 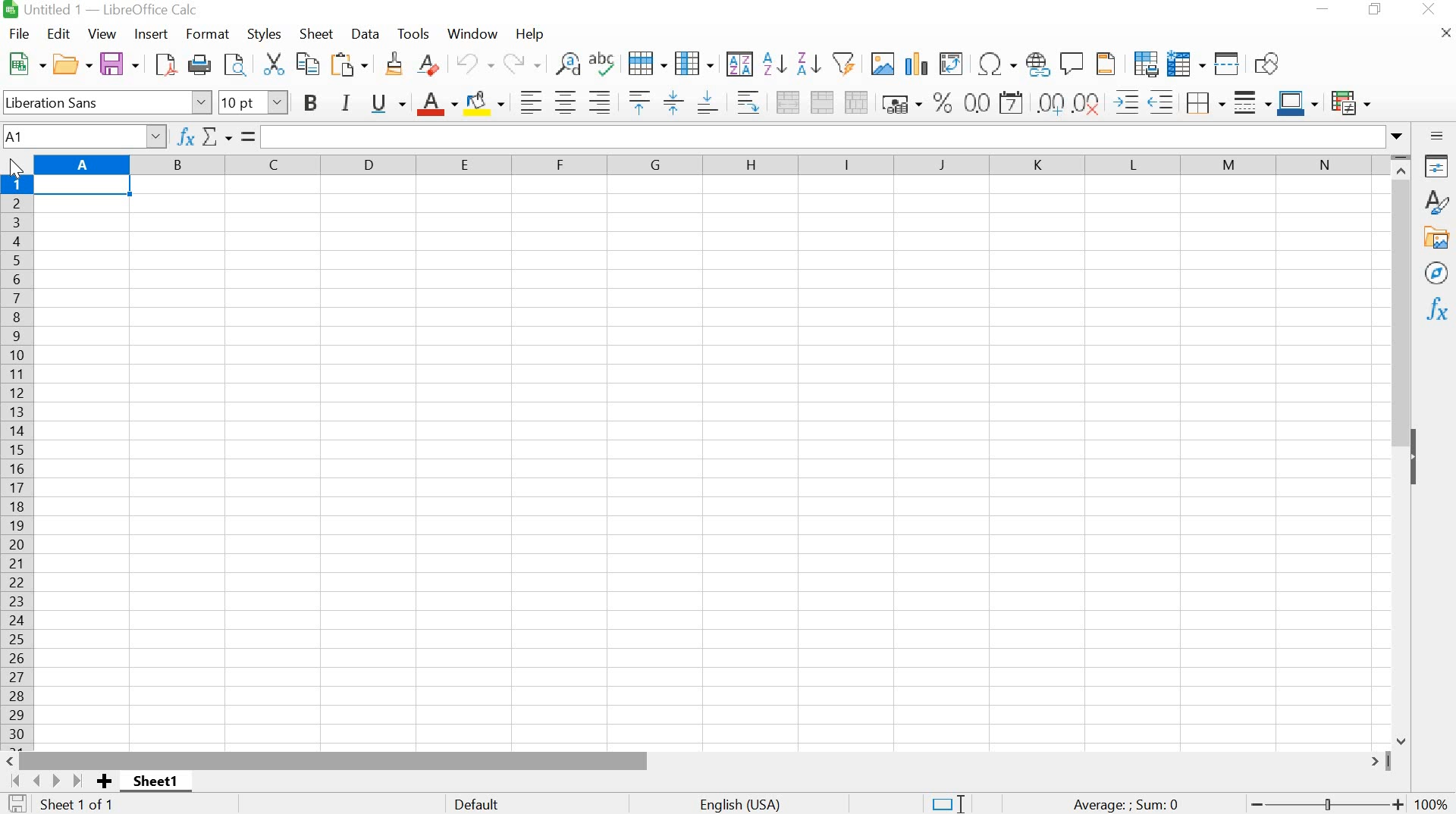 I want to click on Navigator, so click(x=1437, y=272).